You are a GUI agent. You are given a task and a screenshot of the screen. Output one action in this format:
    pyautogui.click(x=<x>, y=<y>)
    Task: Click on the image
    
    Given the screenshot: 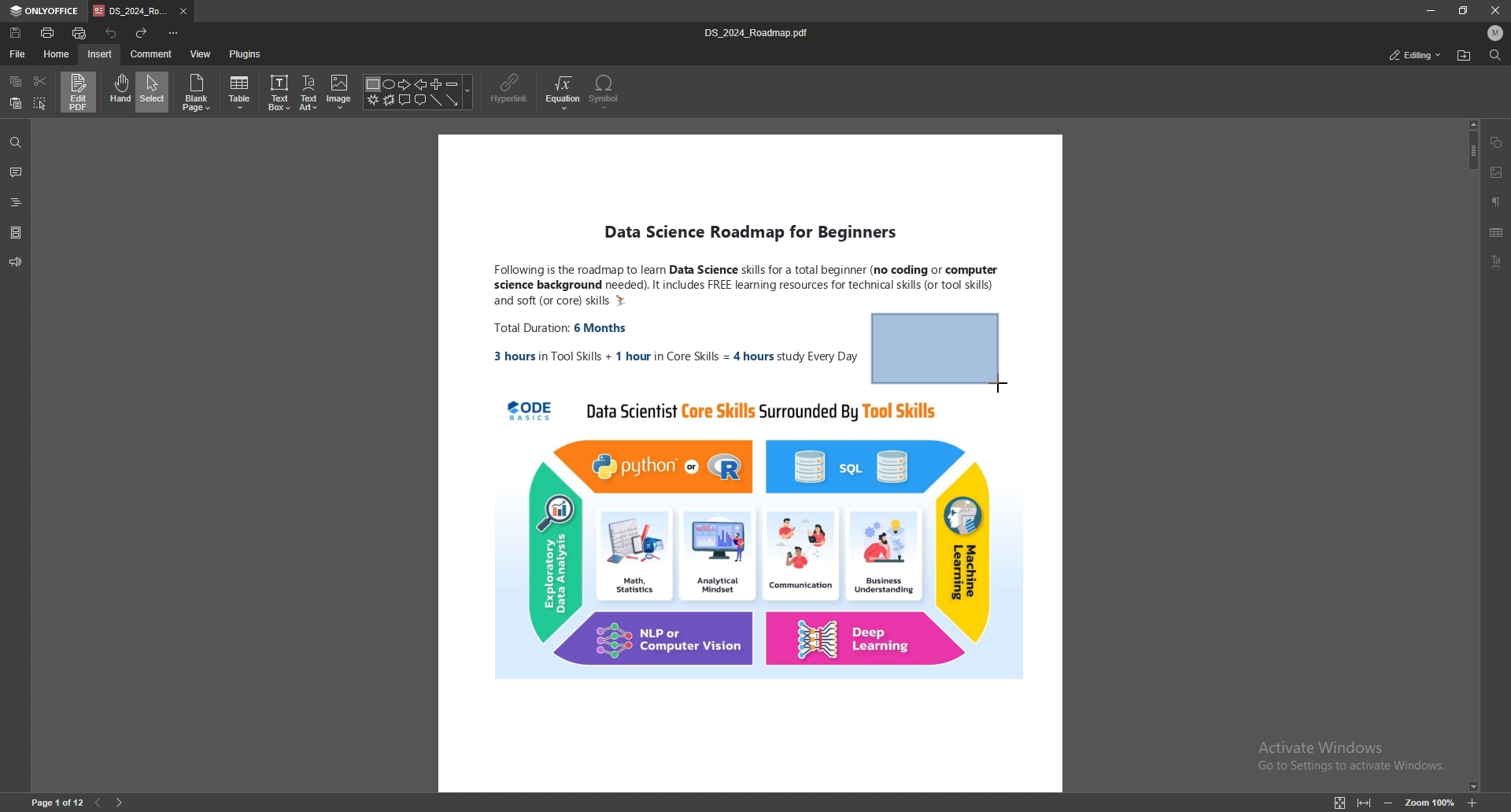 What is the action you would take?
    pyautogui.click(x=339, y=92)
    